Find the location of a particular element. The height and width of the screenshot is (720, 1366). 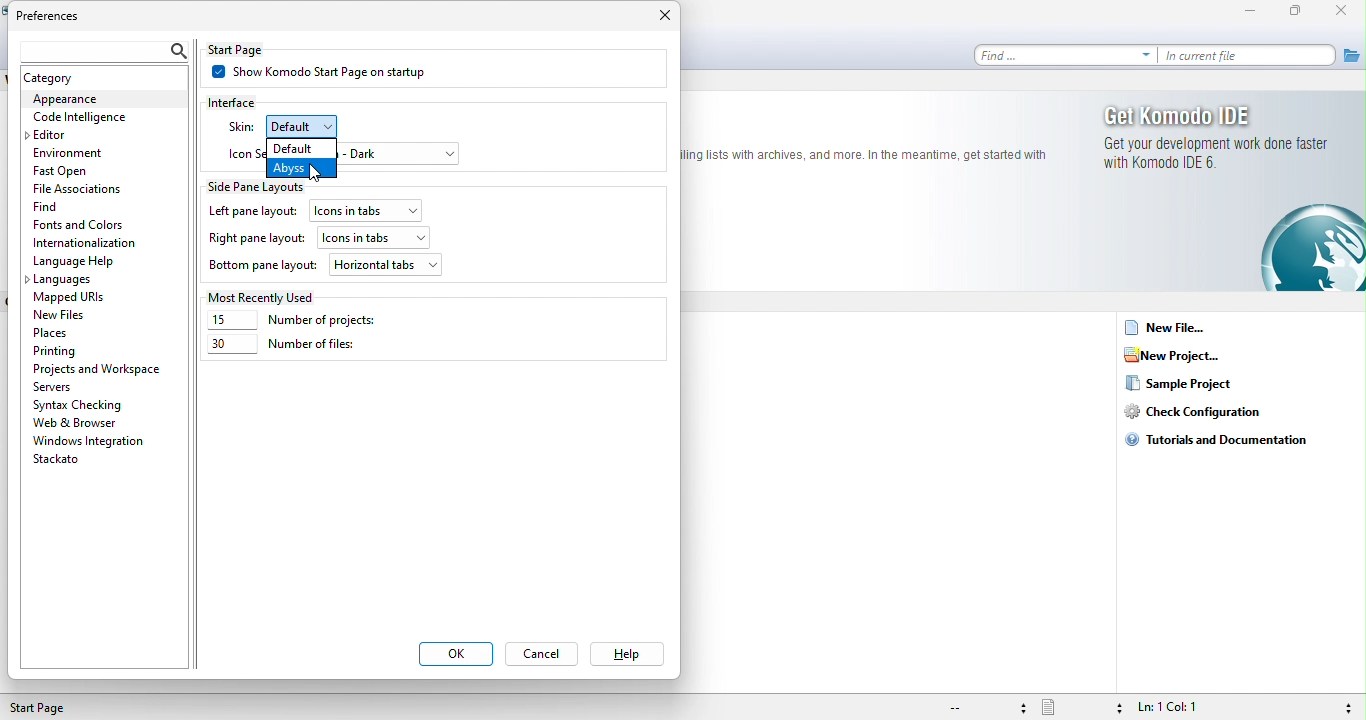

projects and workspace is located at coordinates (99, 369).